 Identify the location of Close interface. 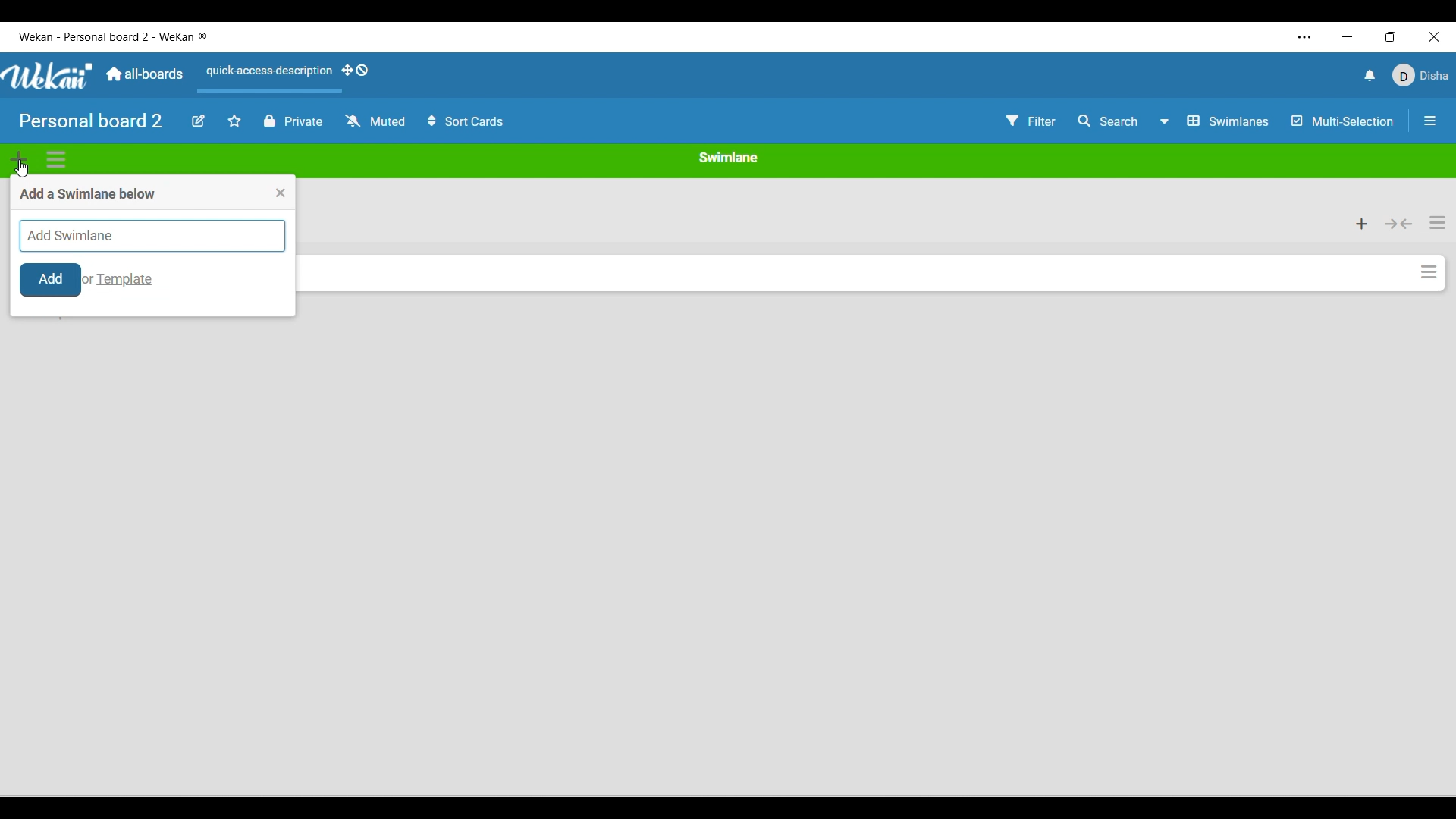
(1435, 37).